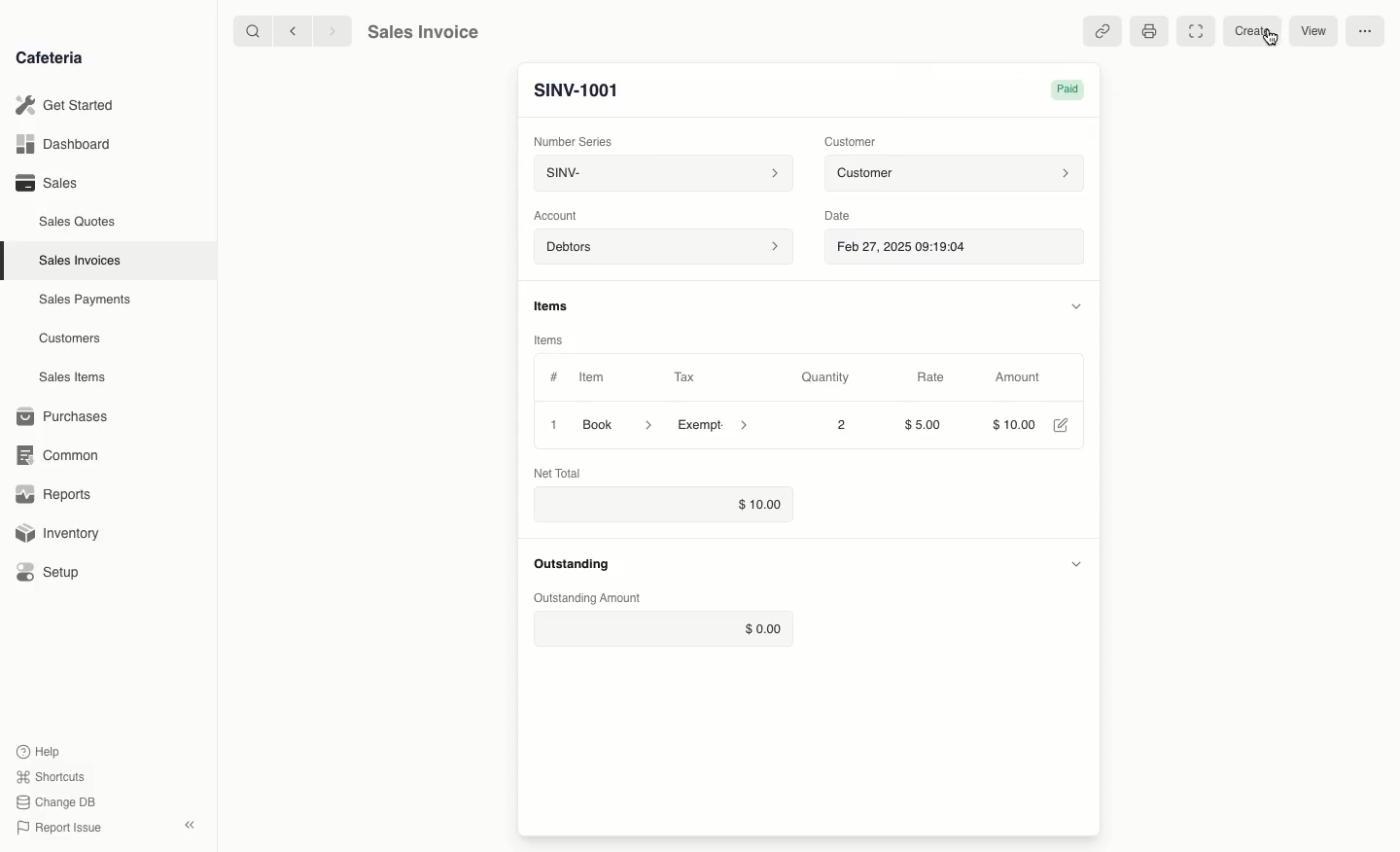  Describe the element at coordinates (554, 305) in the screenshot. I see `Items` at that location.